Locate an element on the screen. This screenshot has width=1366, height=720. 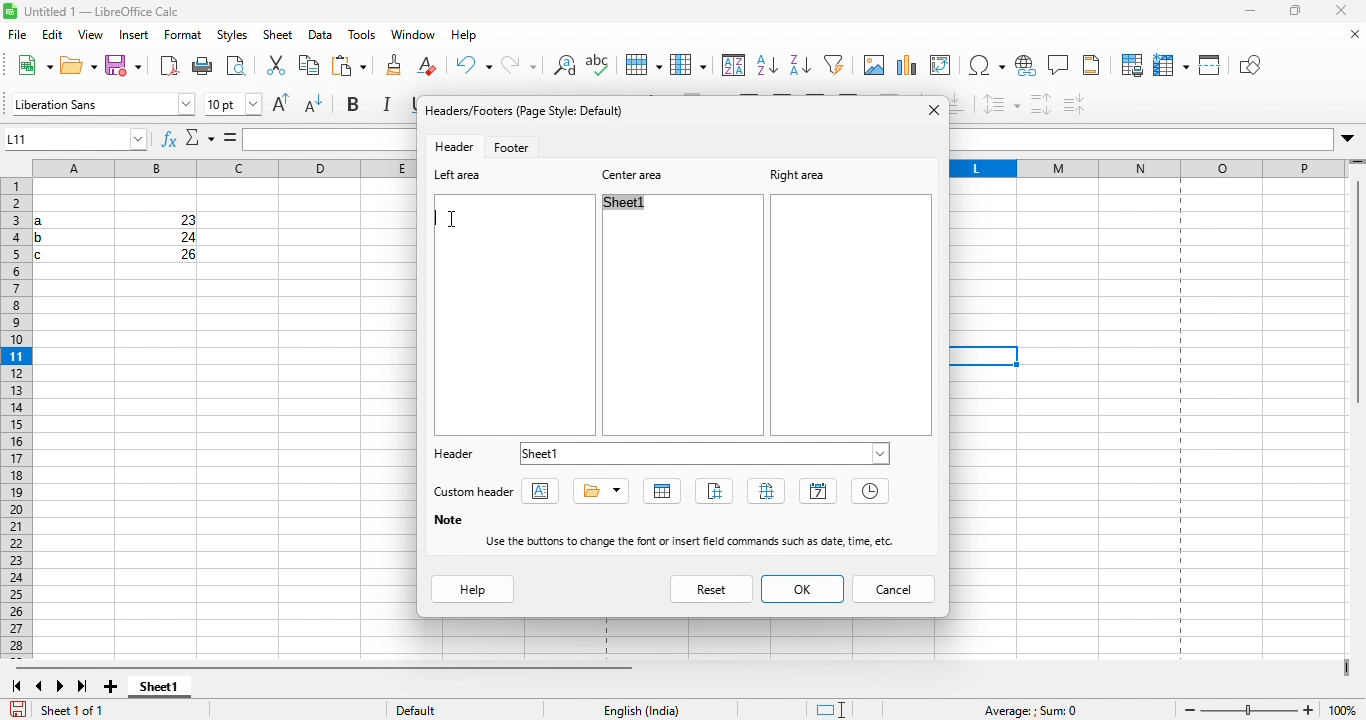
bold is located at coordinates (359, 105).